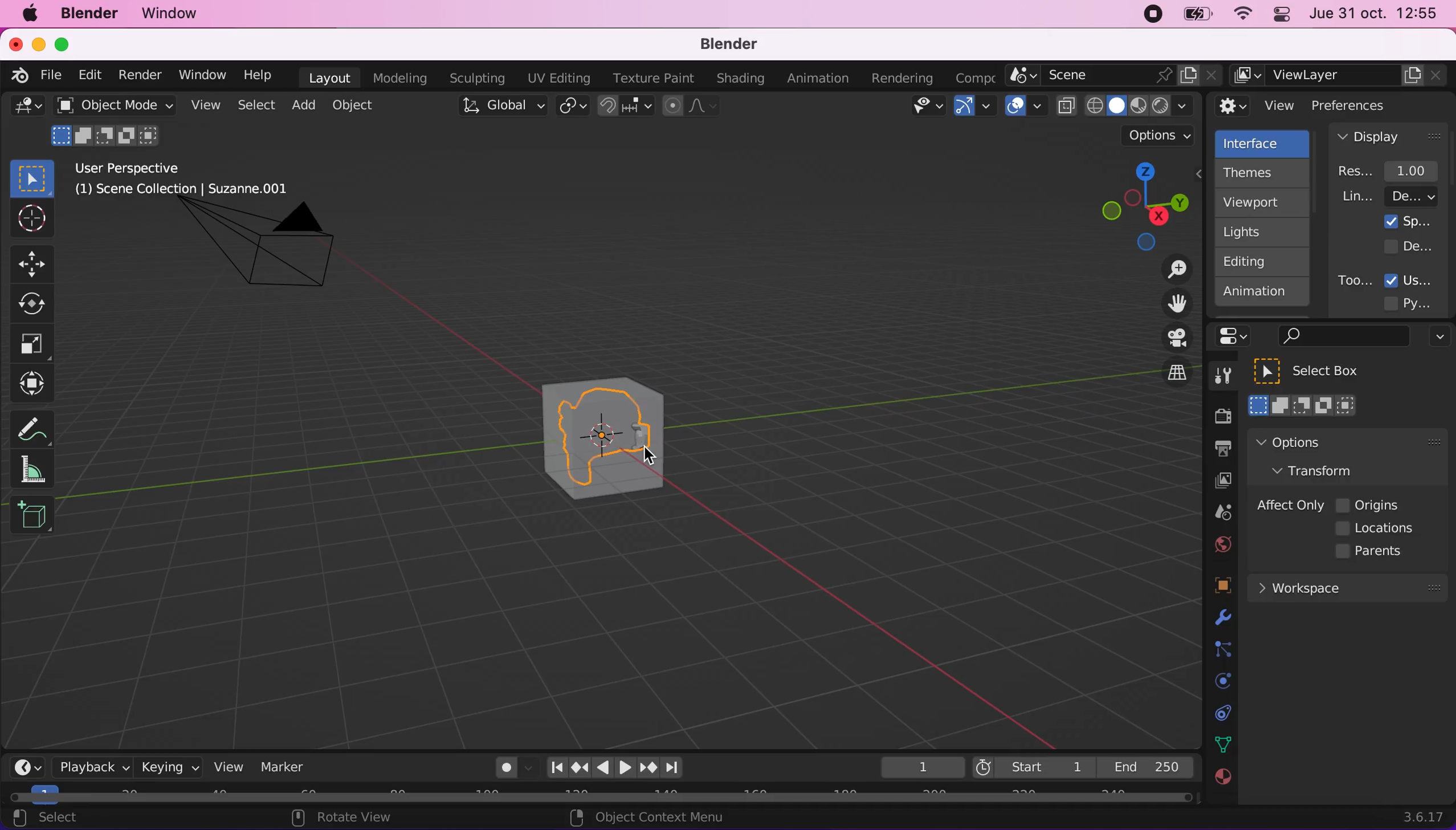  I want to click on transform, so click(1324, 470).